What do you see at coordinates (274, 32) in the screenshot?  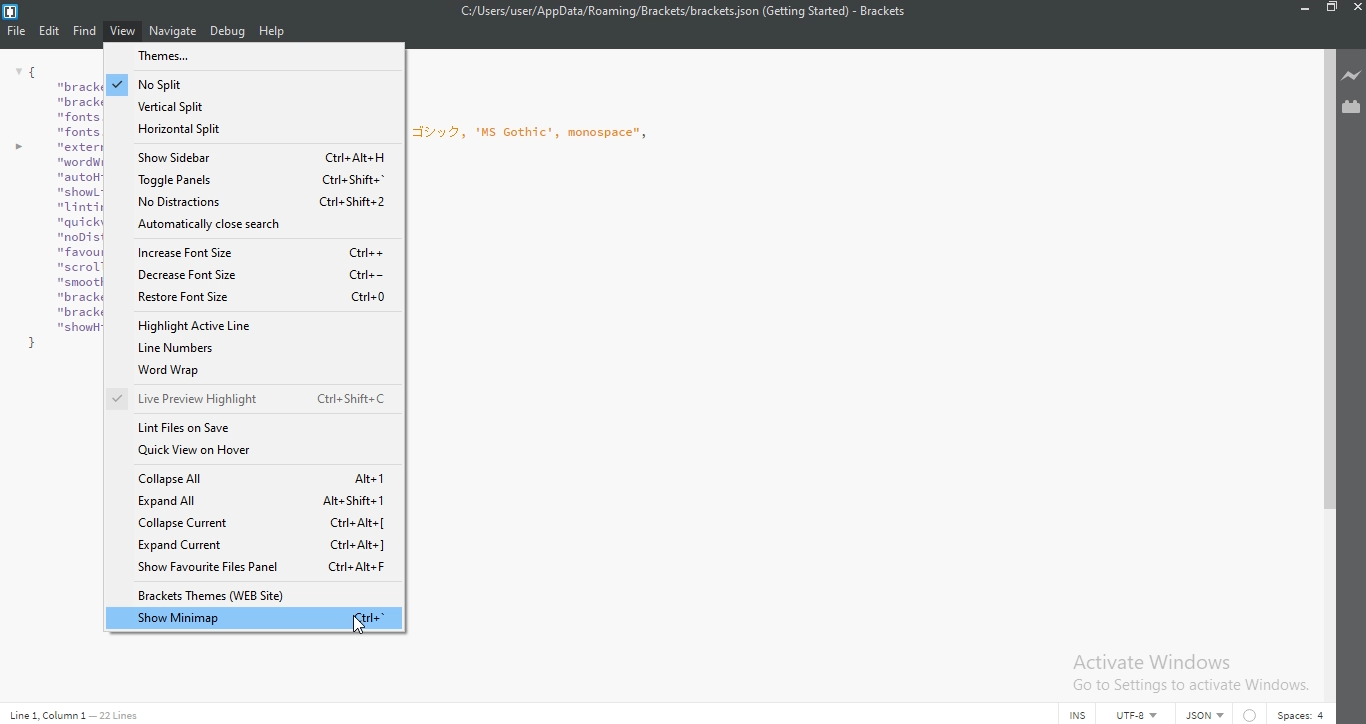 I see `Help` at bounding box center [274, 32].